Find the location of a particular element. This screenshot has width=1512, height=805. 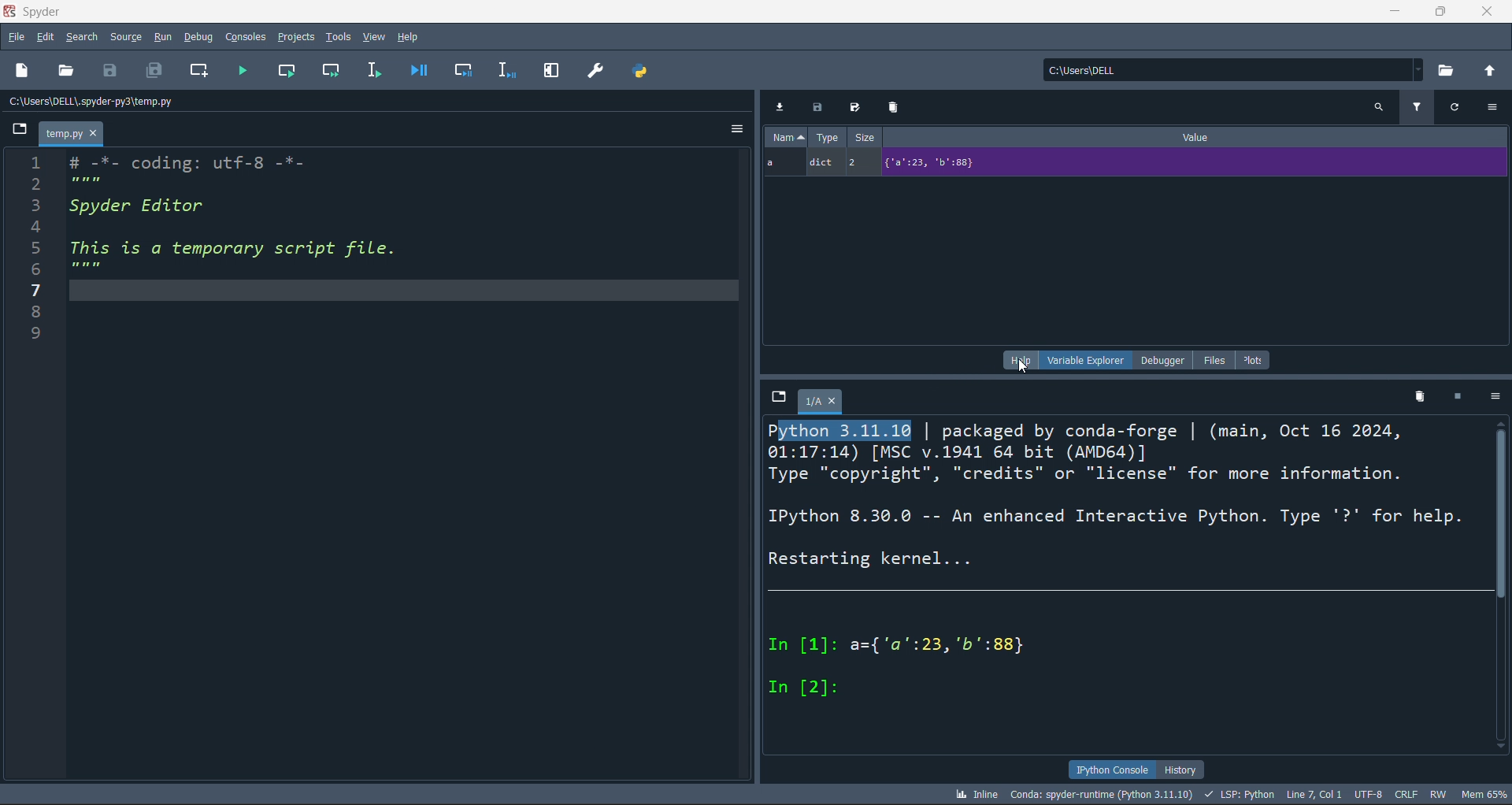

stop kernel is located at coordinates (1458, 399).